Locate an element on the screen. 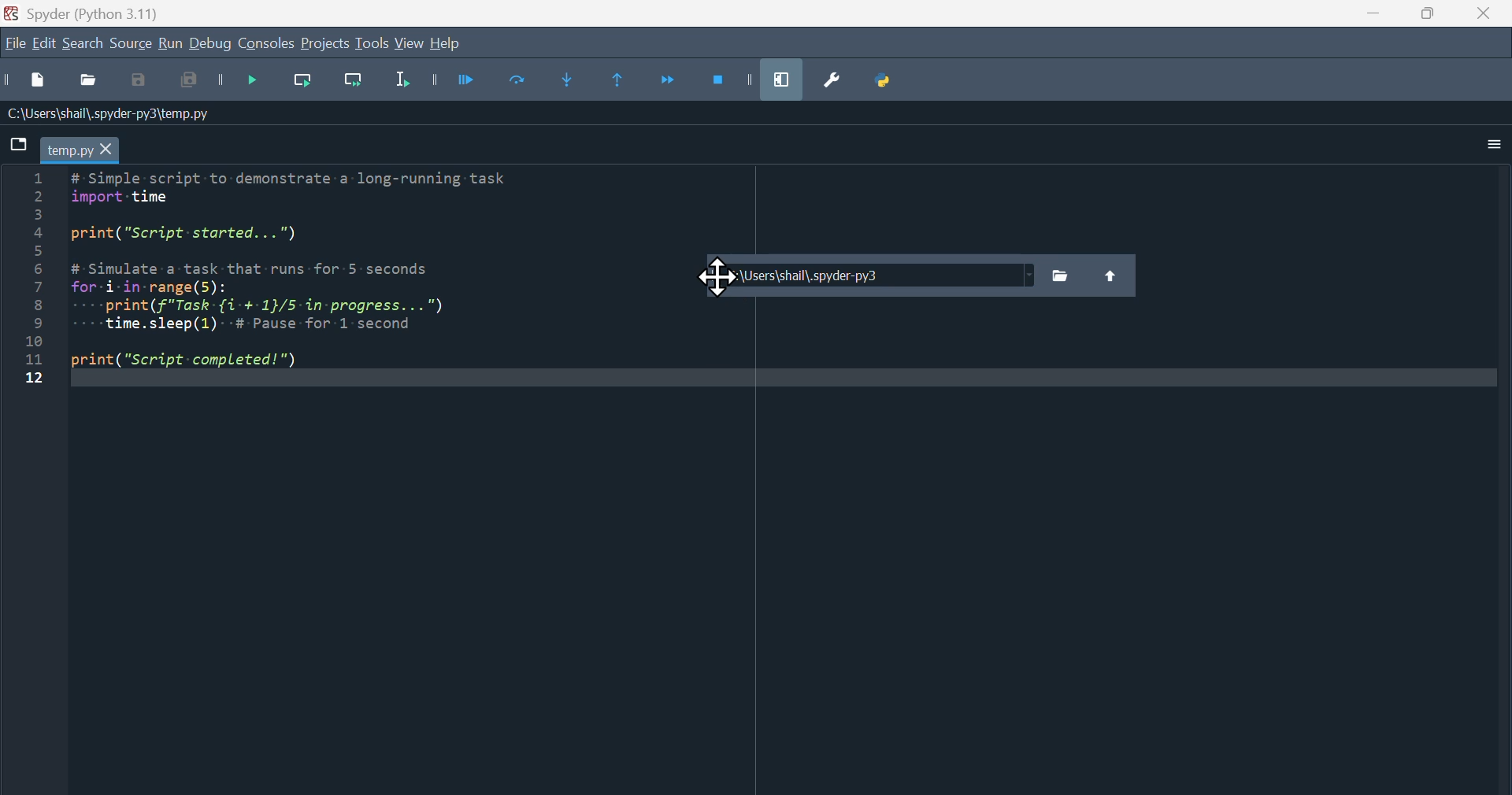 The width and height of the screenshot is (1512, 795). Open file is located at coordinates (87, 83).